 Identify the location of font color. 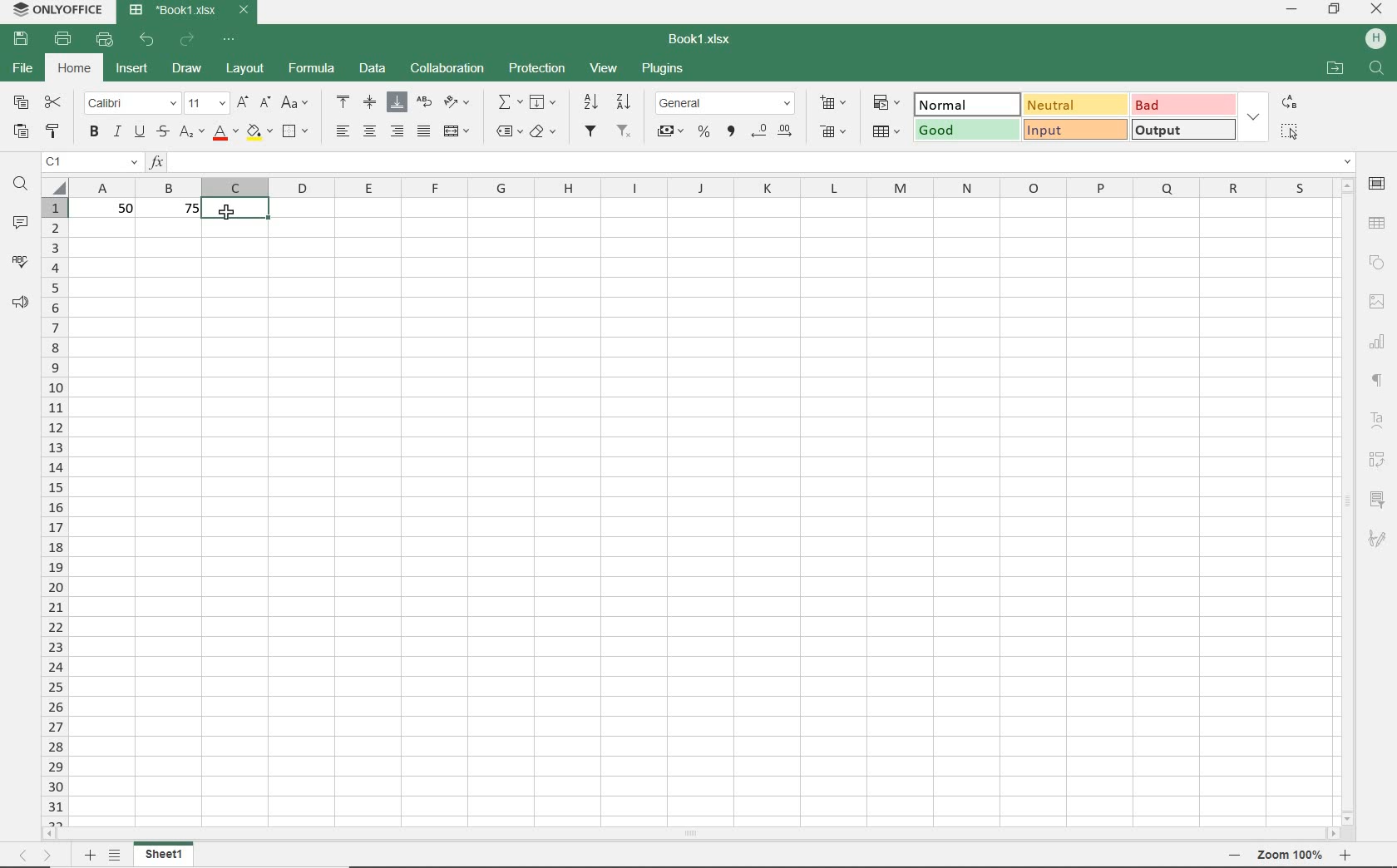
(223, 132).